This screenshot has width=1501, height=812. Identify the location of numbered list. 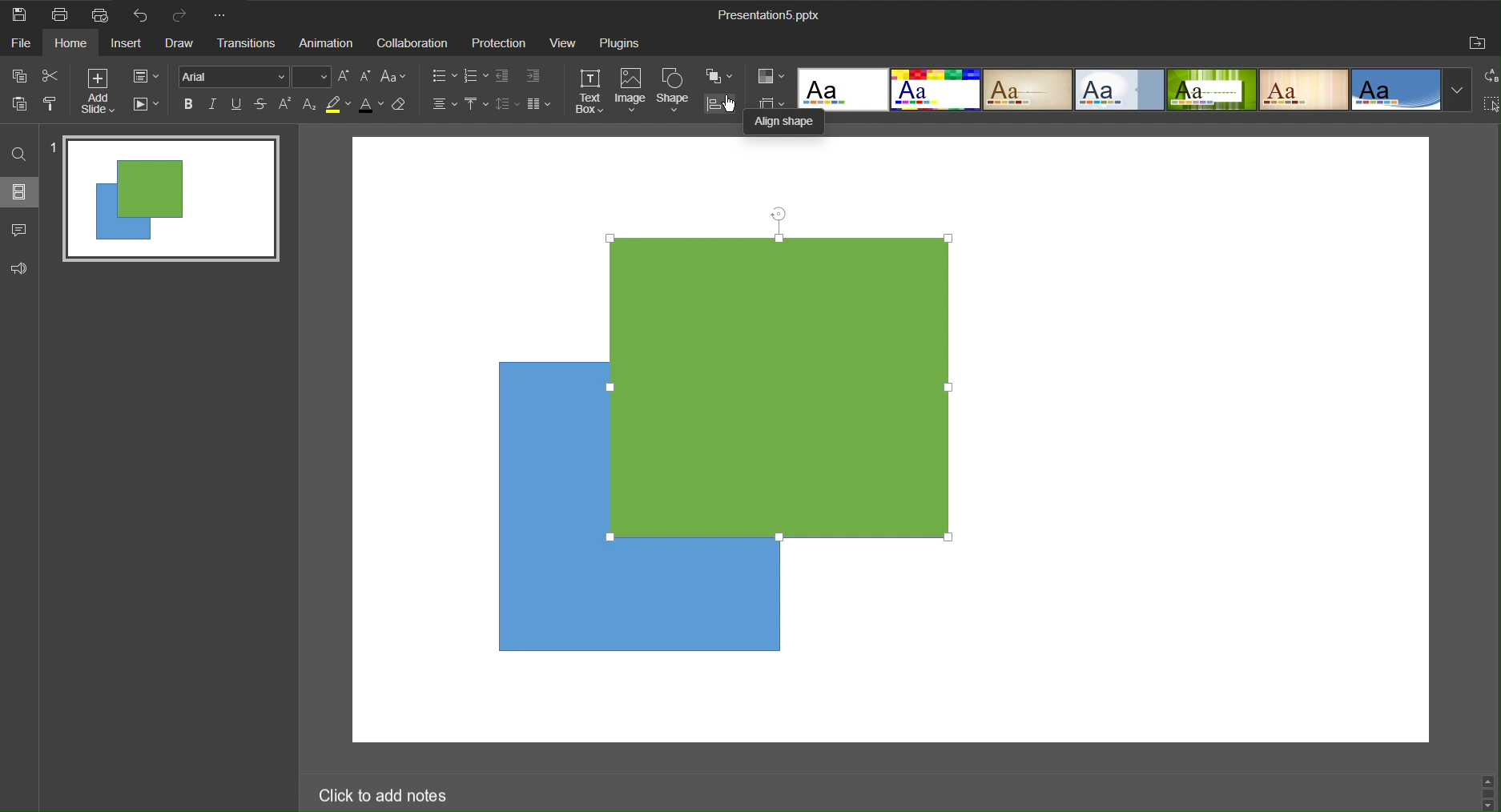
(473, 74).